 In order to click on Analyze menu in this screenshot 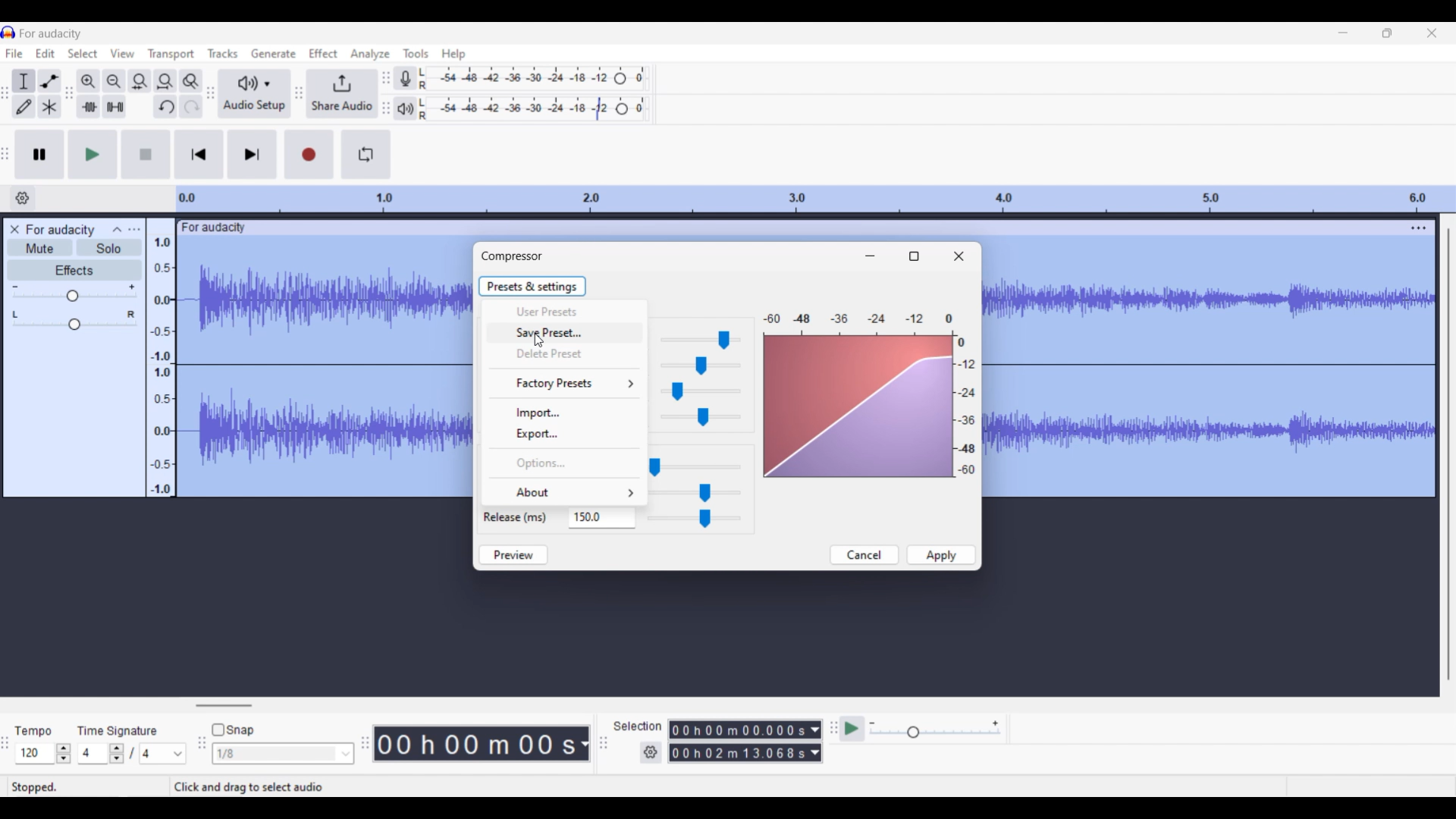, I will do `click(369, 54)`.